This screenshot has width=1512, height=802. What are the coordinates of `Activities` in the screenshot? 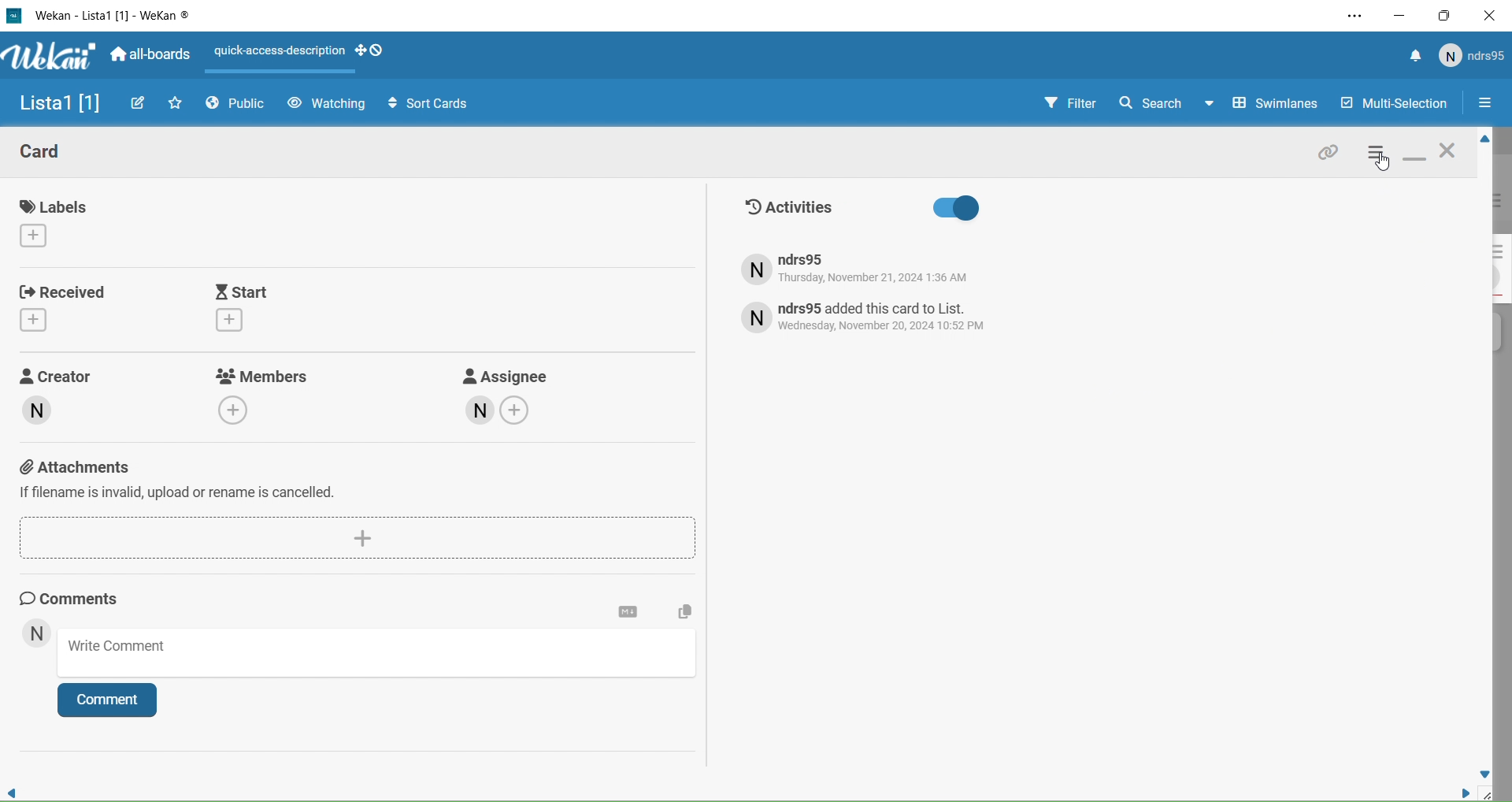 It's located at (921, 212).